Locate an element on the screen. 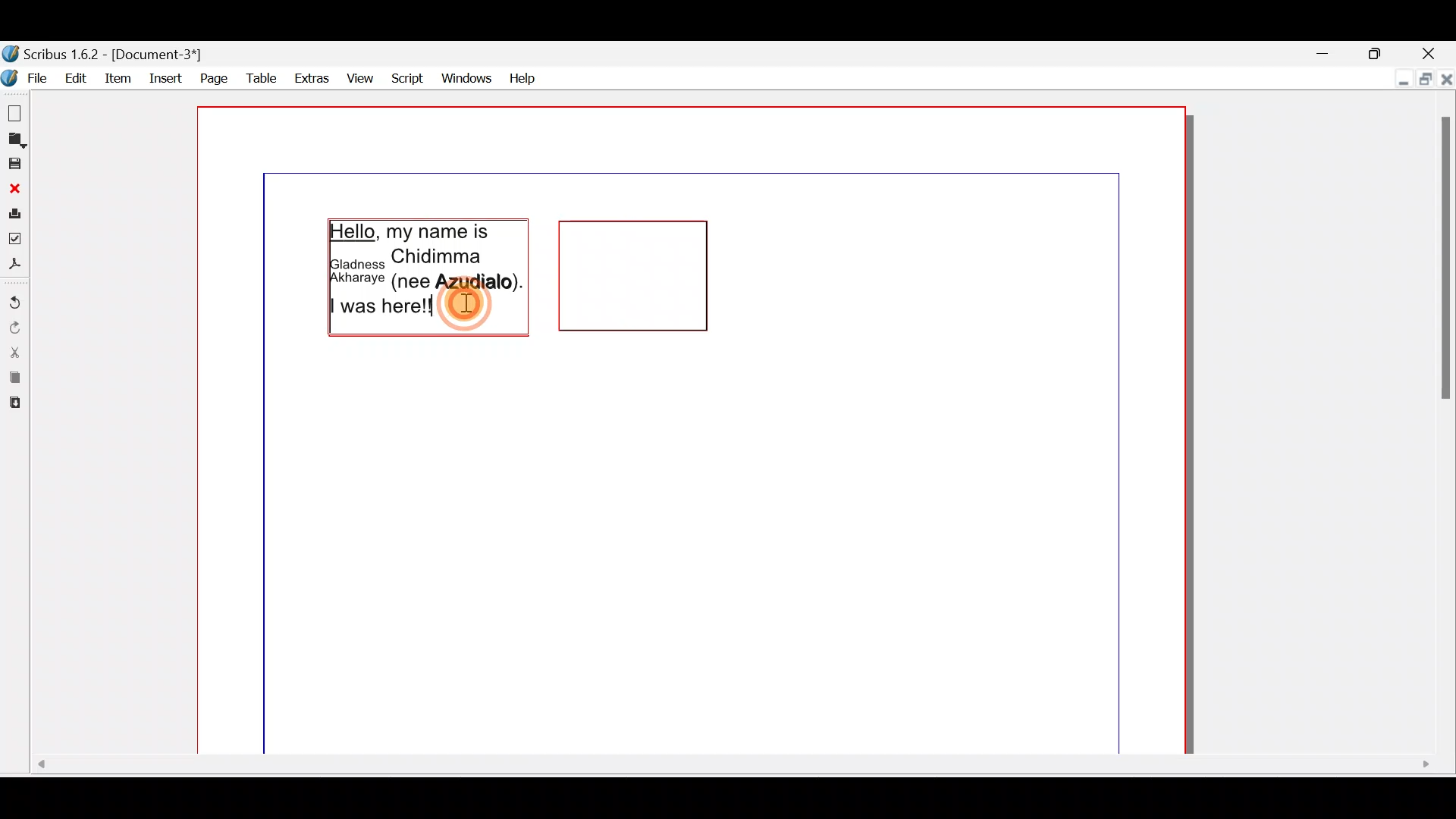 The height and width of the screenshot is (819, 1456). Save as PDF is located at coordinates (15, 265).